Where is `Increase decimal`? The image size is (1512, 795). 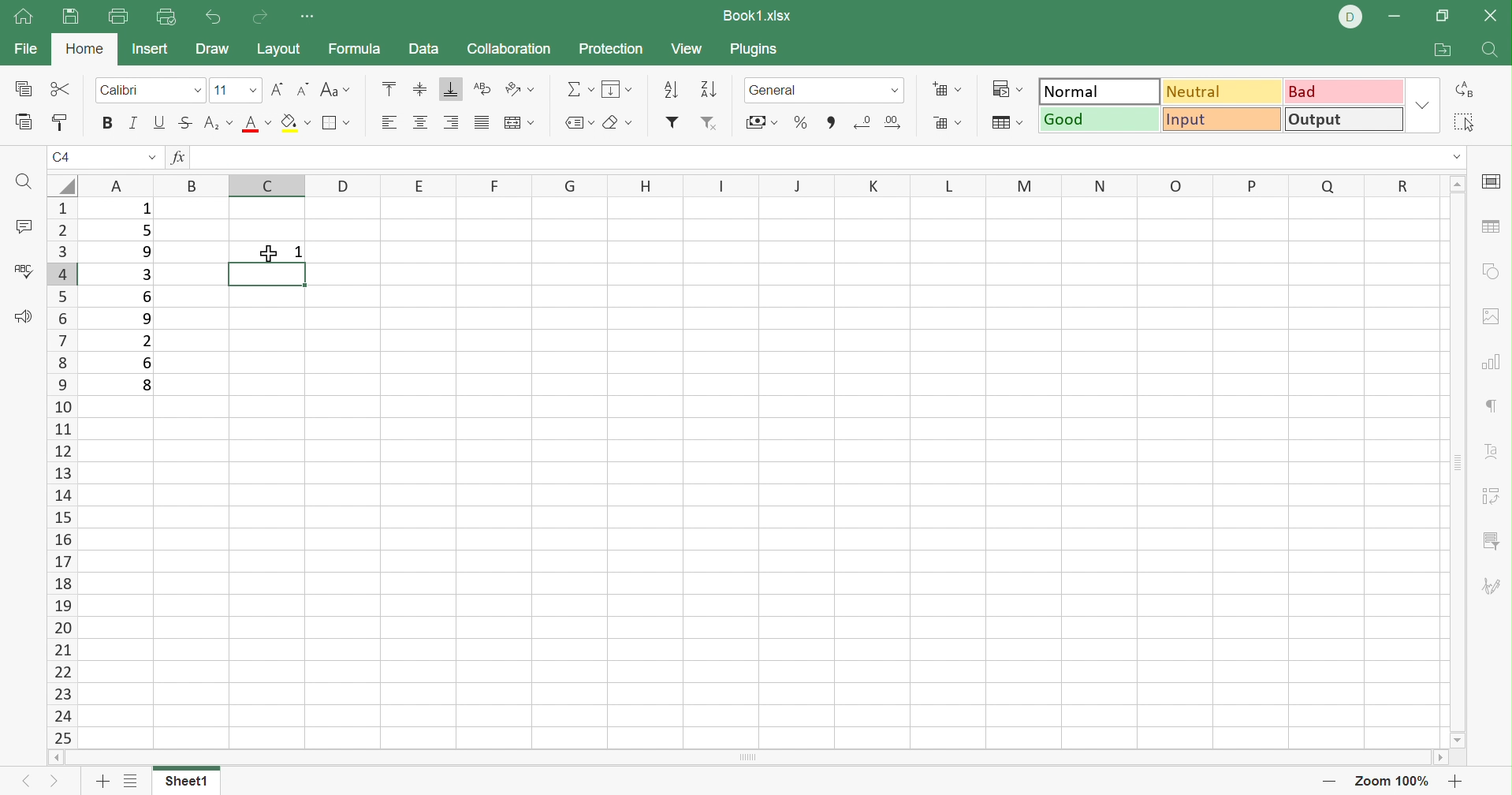
Increase decimal is located at coordinates (896, 120).